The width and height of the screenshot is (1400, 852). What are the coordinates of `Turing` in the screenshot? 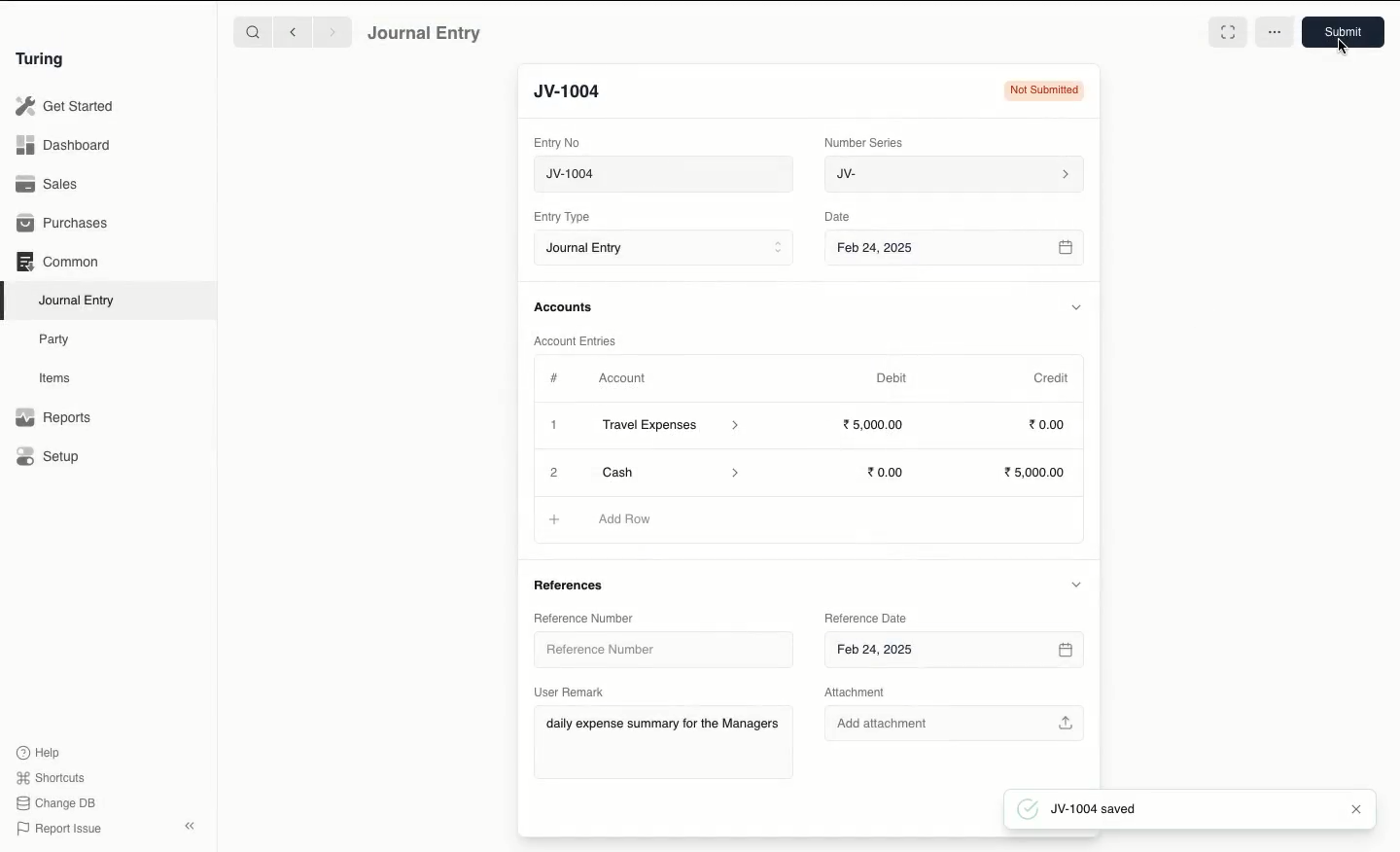 It's located at (44, 60).